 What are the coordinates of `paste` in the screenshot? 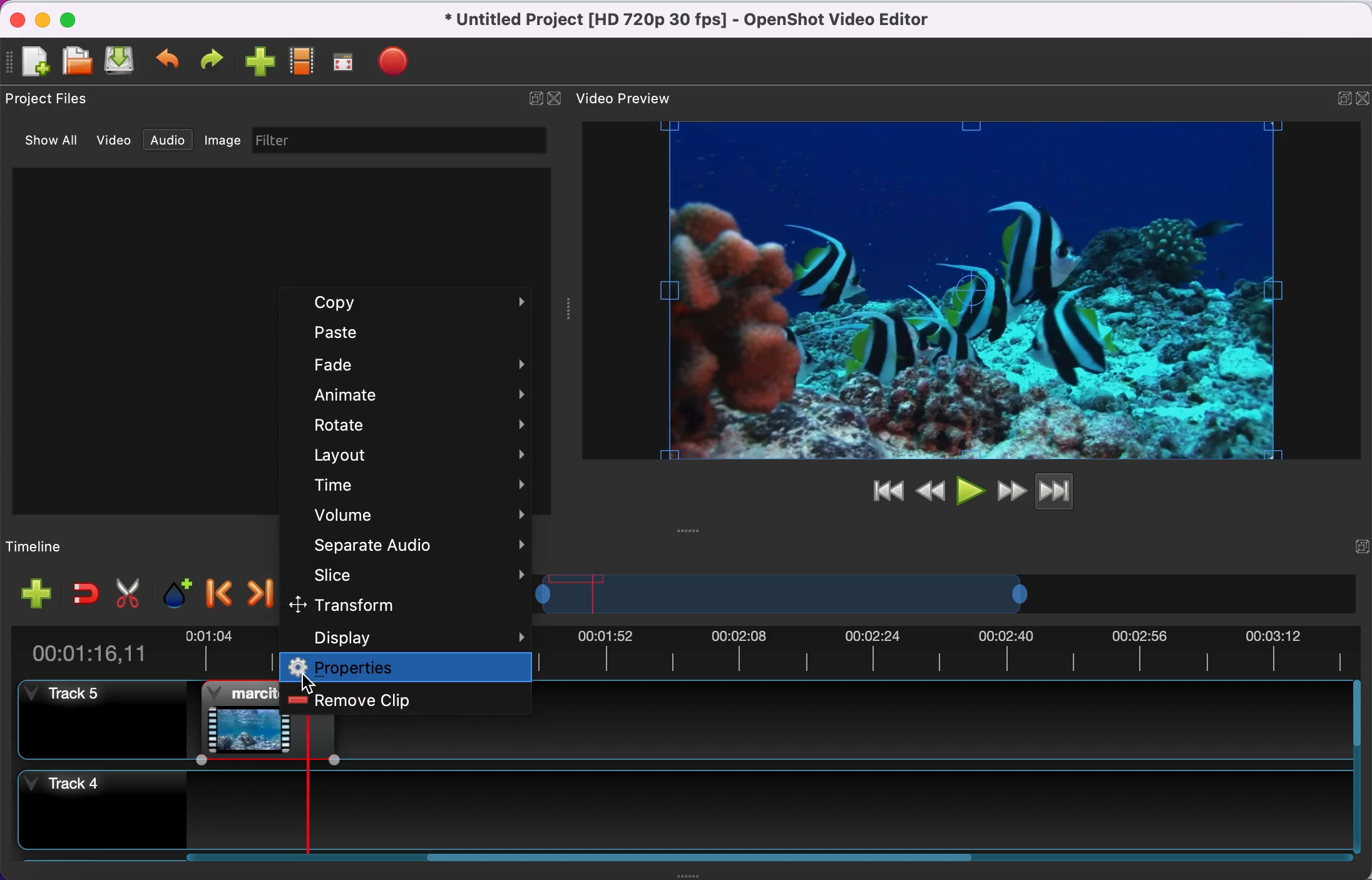 It's located at (414, 335).